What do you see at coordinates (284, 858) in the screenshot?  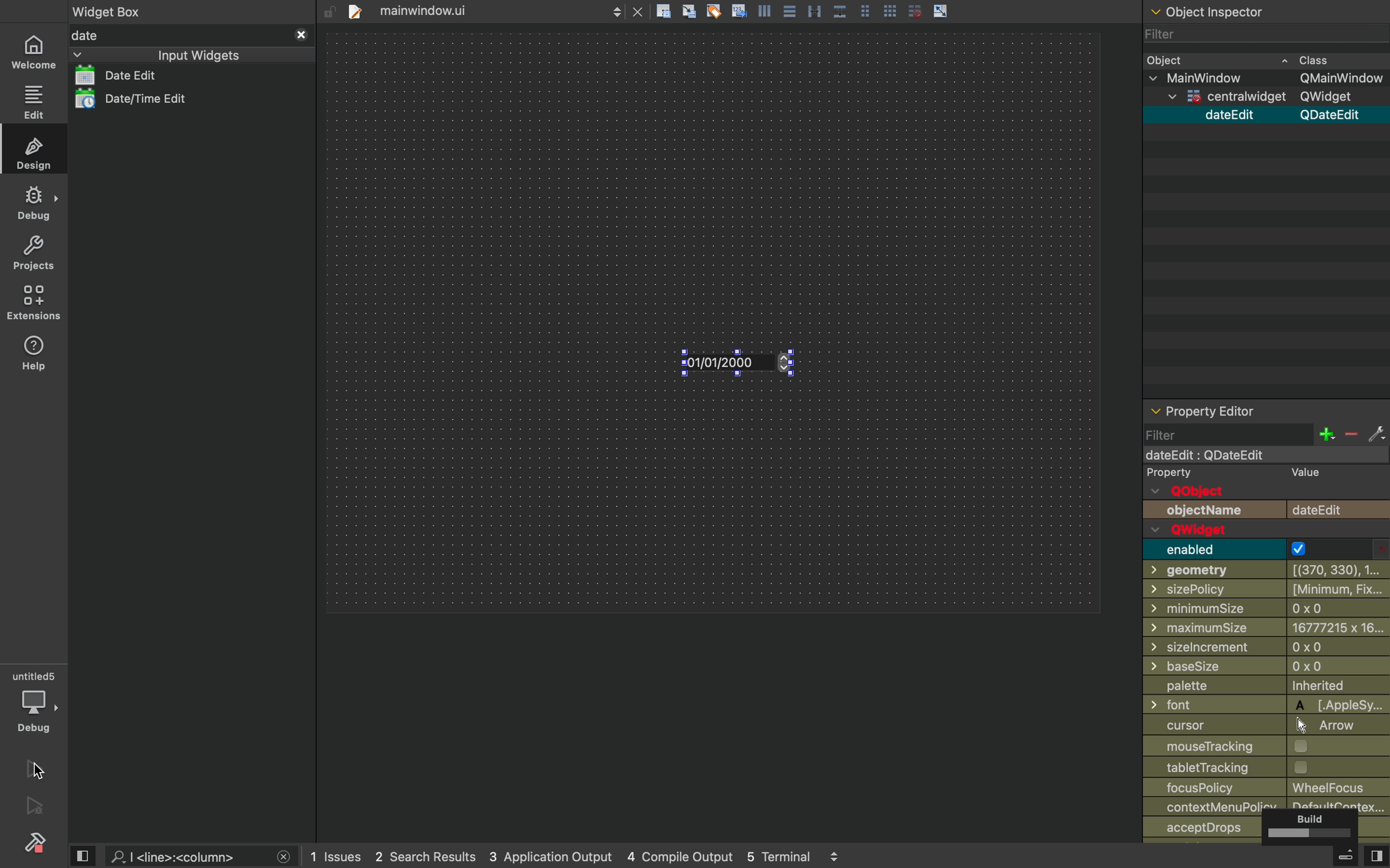 I see `close` at bounding box center [284, 858].